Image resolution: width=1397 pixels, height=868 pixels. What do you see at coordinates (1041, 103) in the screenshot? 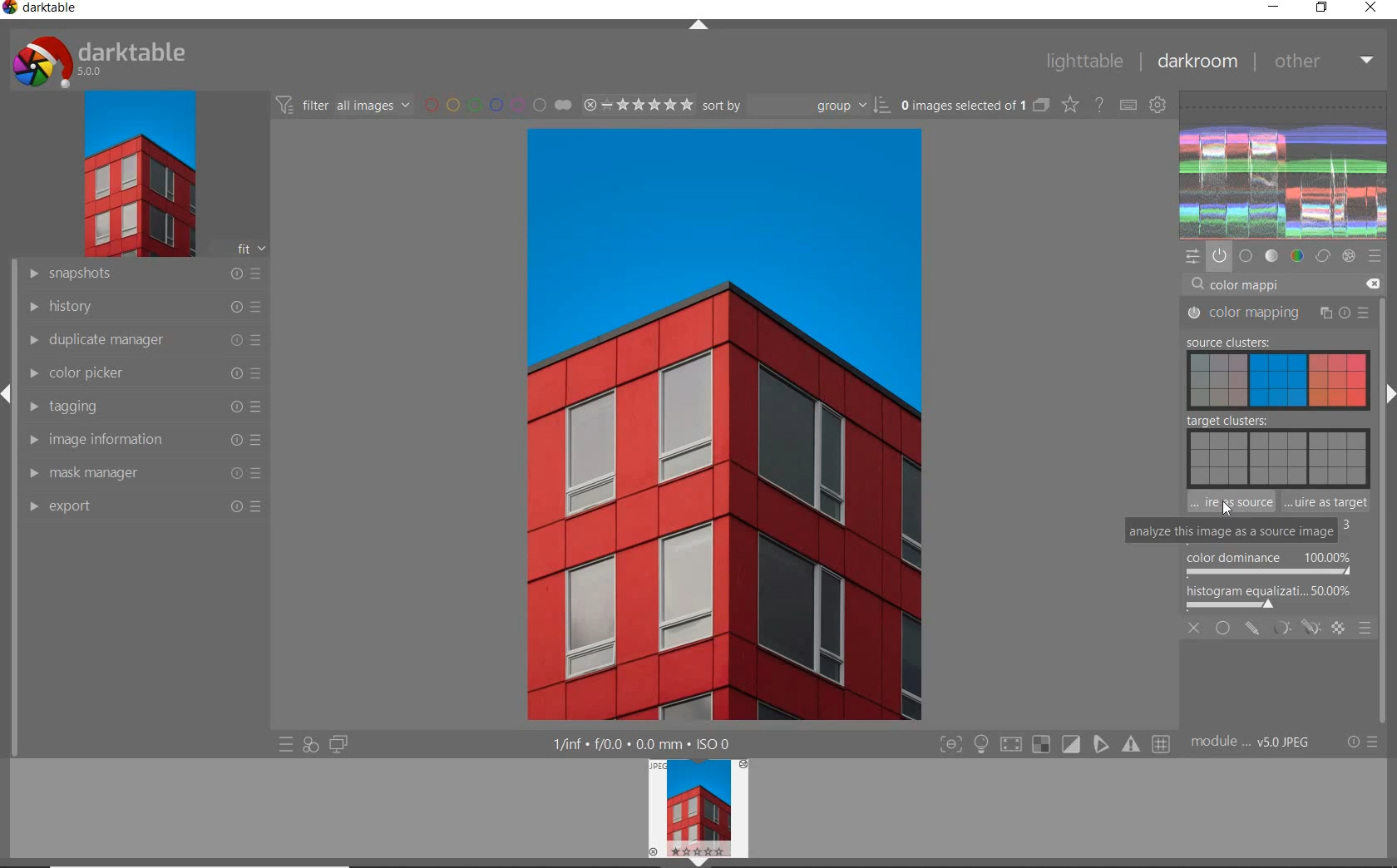
I see `collapsed grouped images` at bounding box center [1041, 103].